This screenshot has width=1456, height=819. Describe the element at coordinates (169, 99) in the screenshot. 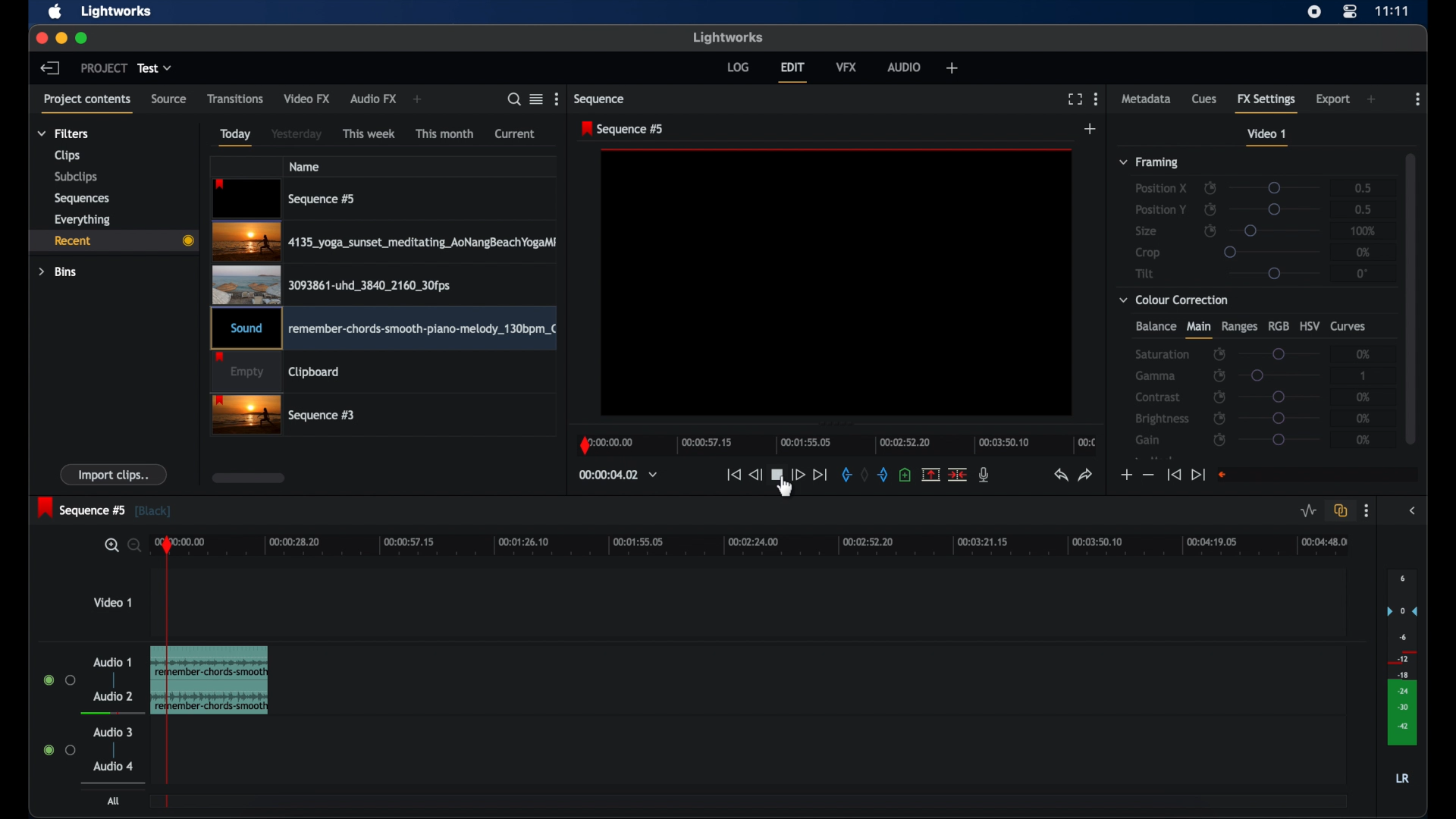

I see `source` at that location.